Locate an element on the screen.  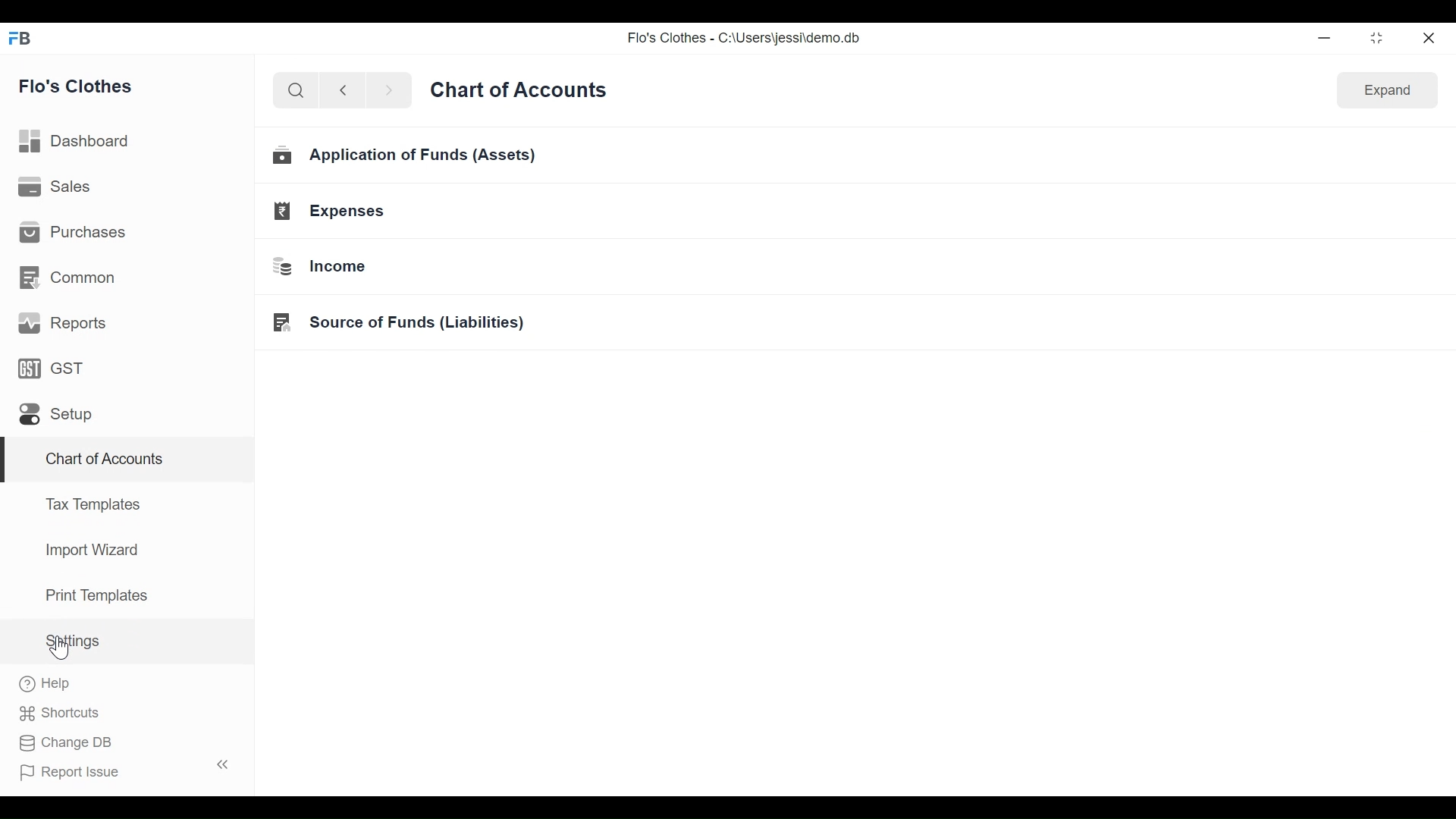
Expand is located at coordinates (1385, 92).